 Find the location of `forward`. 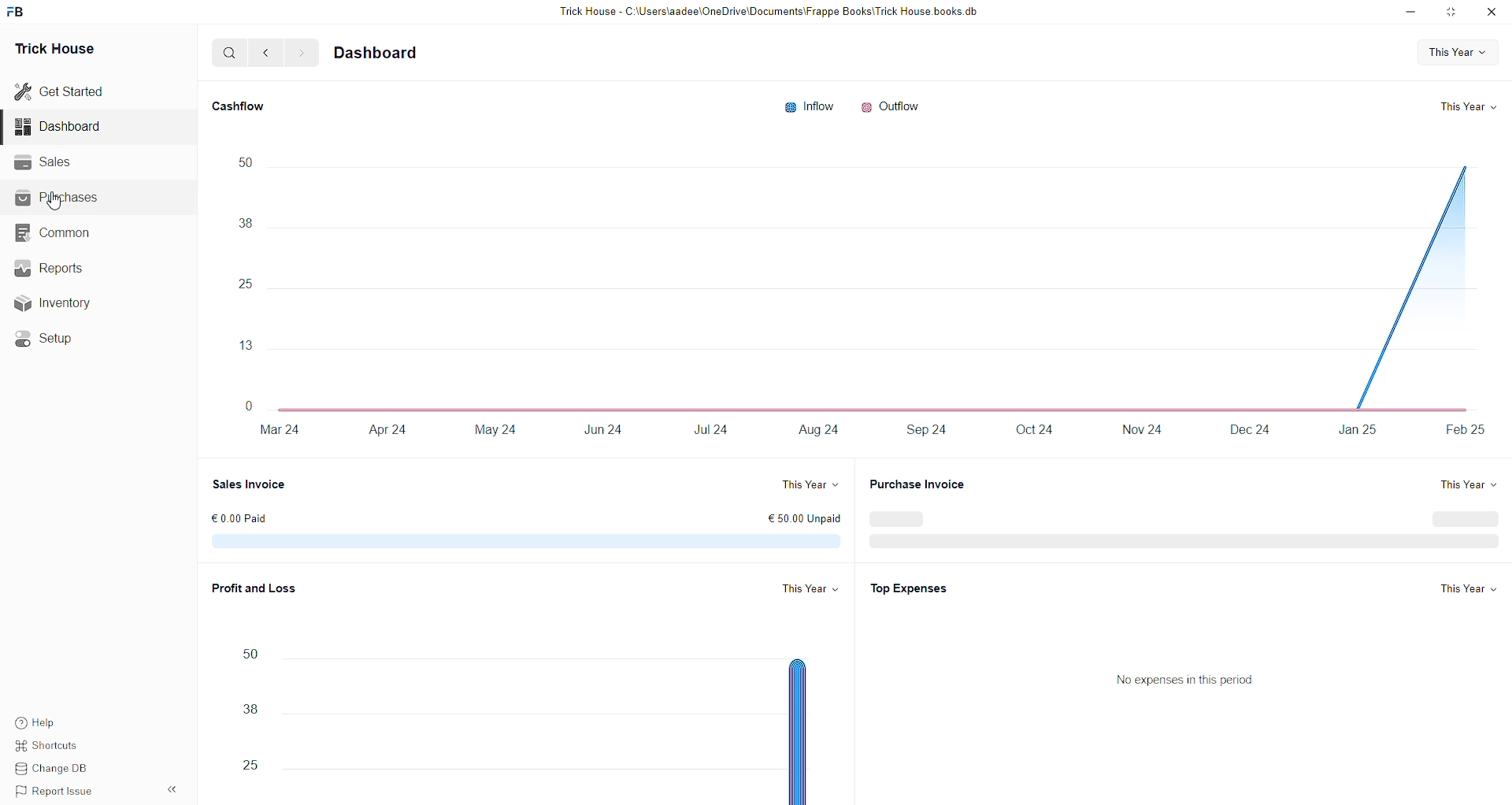

forward is located at coordinates (300, 54).